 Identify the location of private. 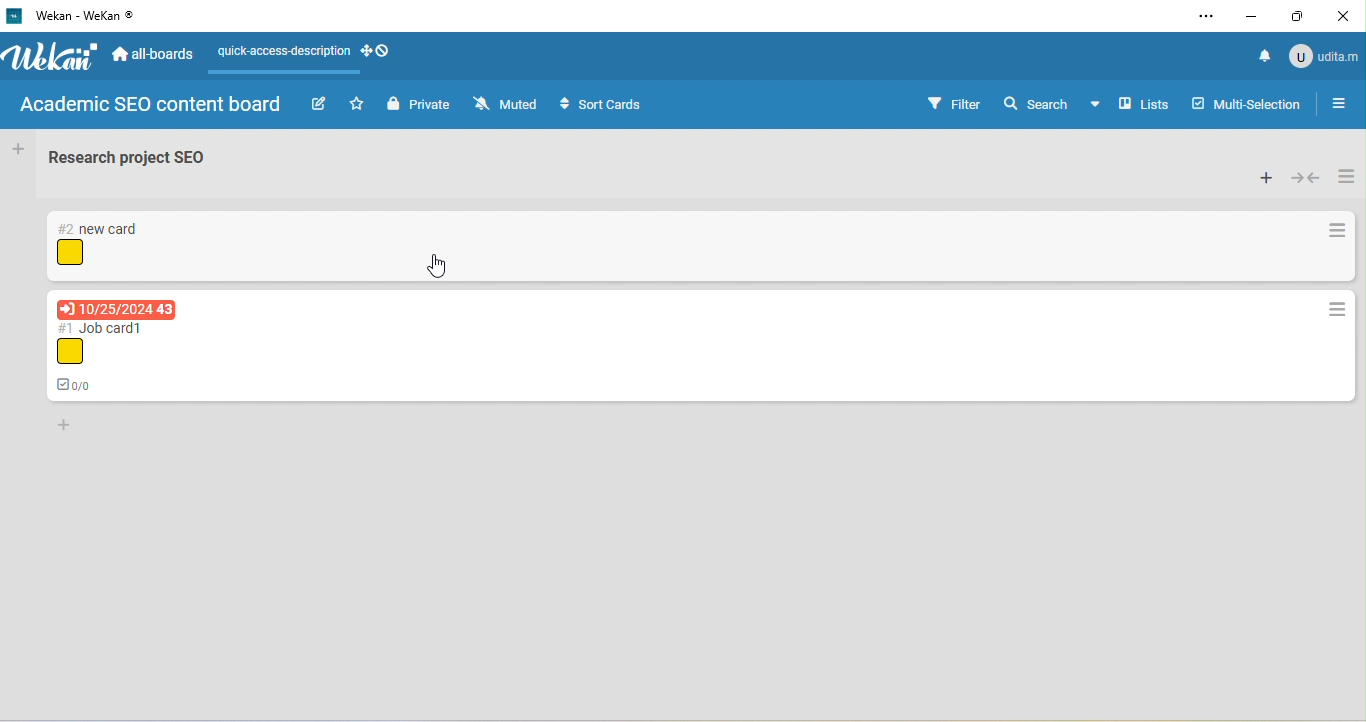
(419, 106).